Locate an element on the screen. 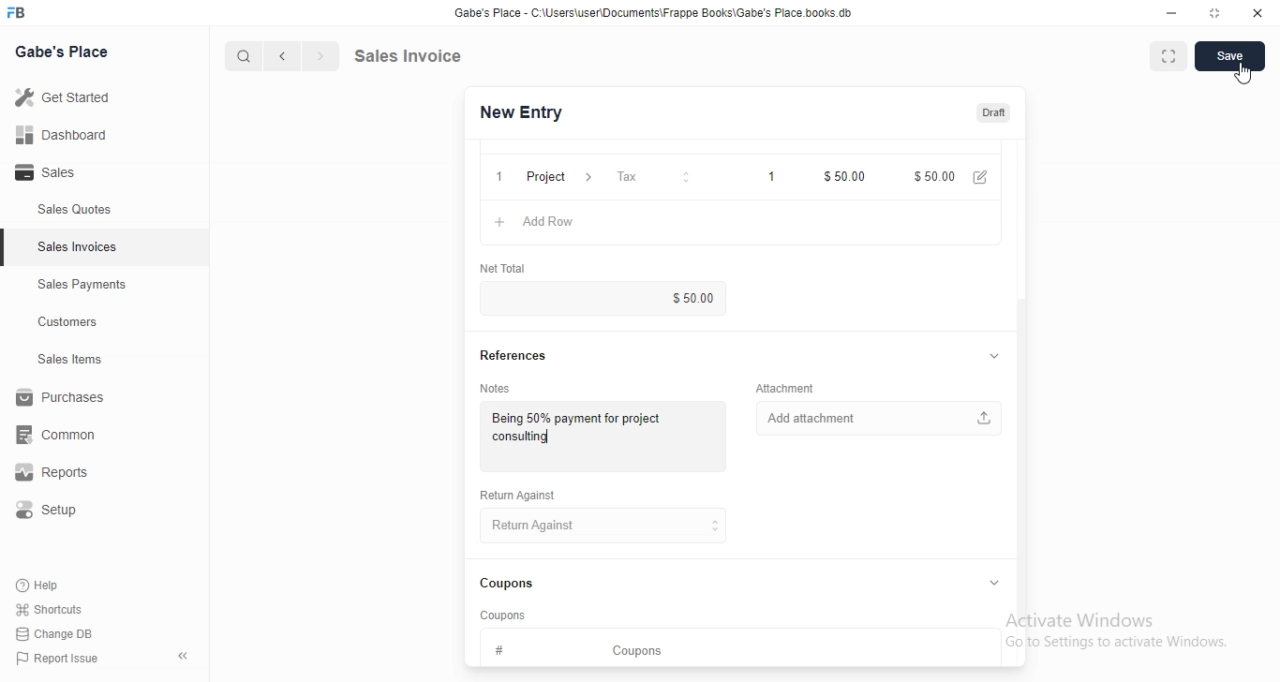 The height and width of the screenshot is (682, 1280). cursor is located at coordinates (1242, 74).